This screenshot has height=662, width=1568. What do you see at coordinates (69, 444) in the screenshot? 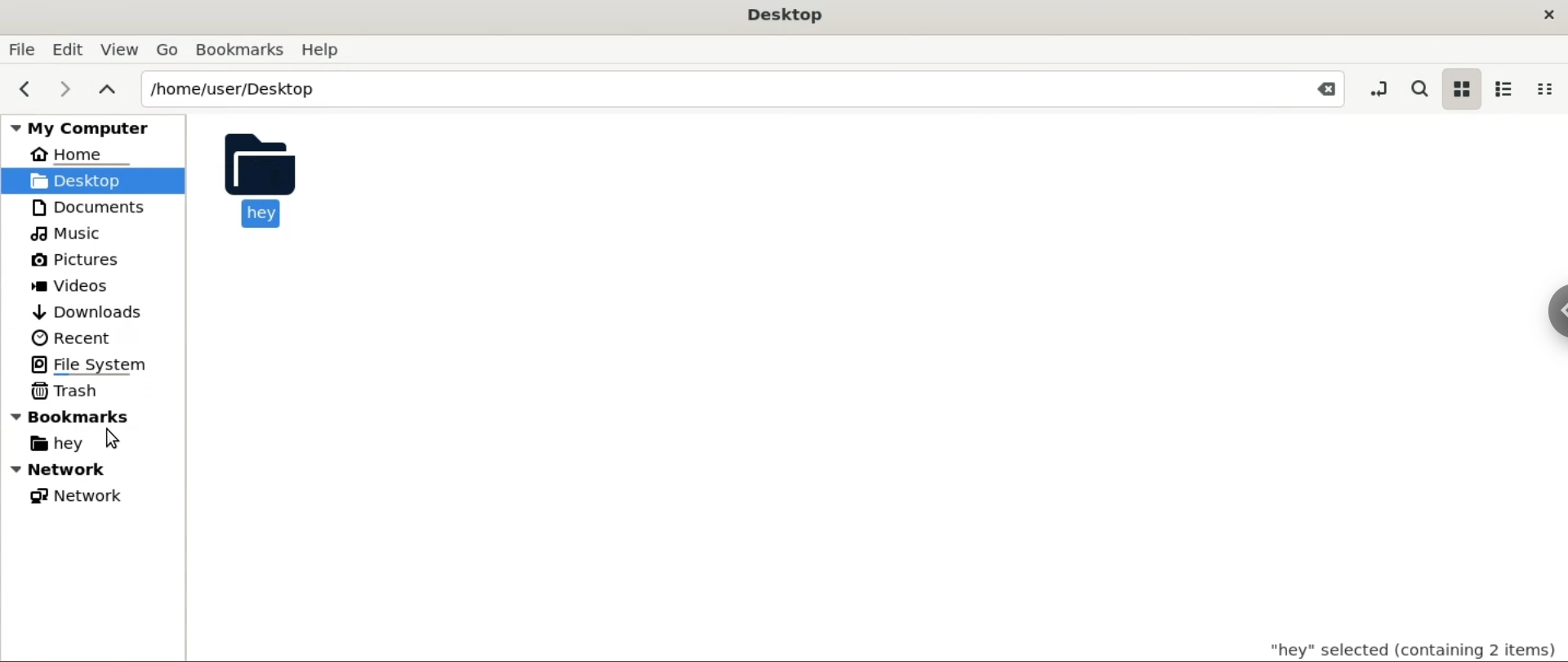
I see `hey` at bounding box center [69, 444].